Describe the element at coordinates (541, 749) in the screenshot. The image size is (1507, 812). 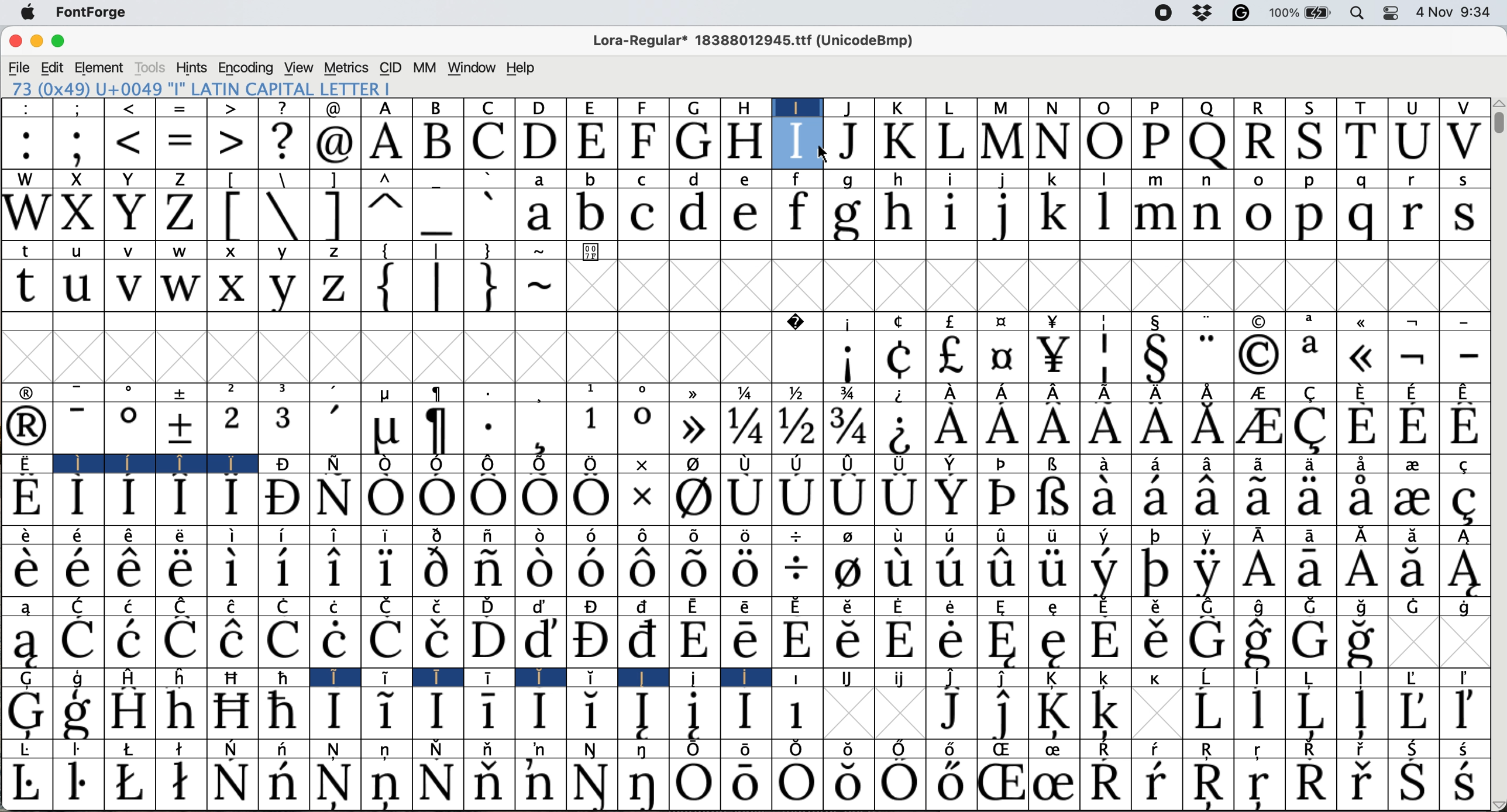
I see `Symbol` at that location.